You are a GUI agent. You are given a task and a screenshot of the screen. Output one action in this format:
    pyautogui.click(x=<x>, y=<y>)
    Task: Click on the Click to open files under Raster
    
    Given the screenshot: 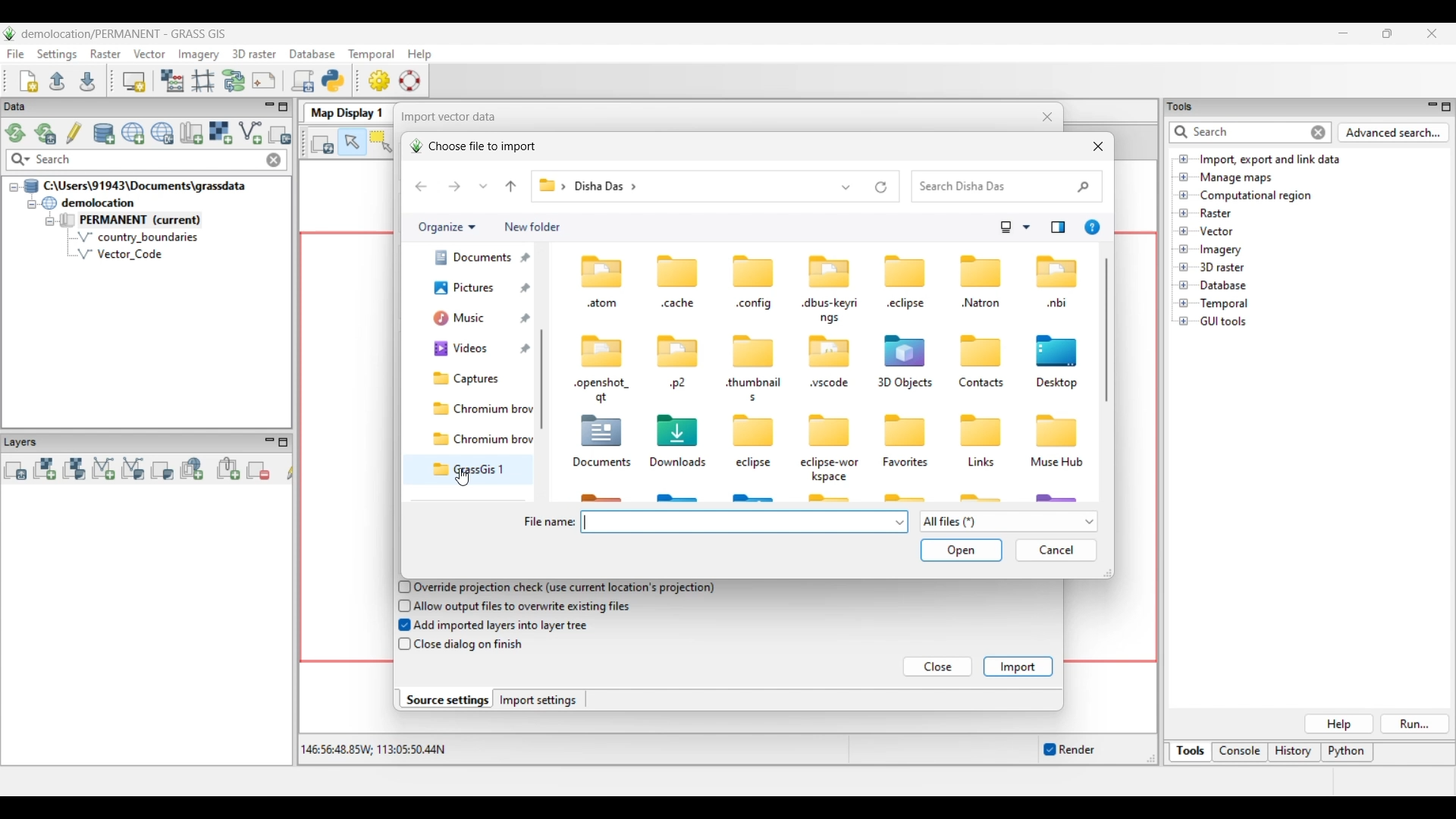 What is the action you would take?
    pyautogui.click(x=1184, y=212)
    